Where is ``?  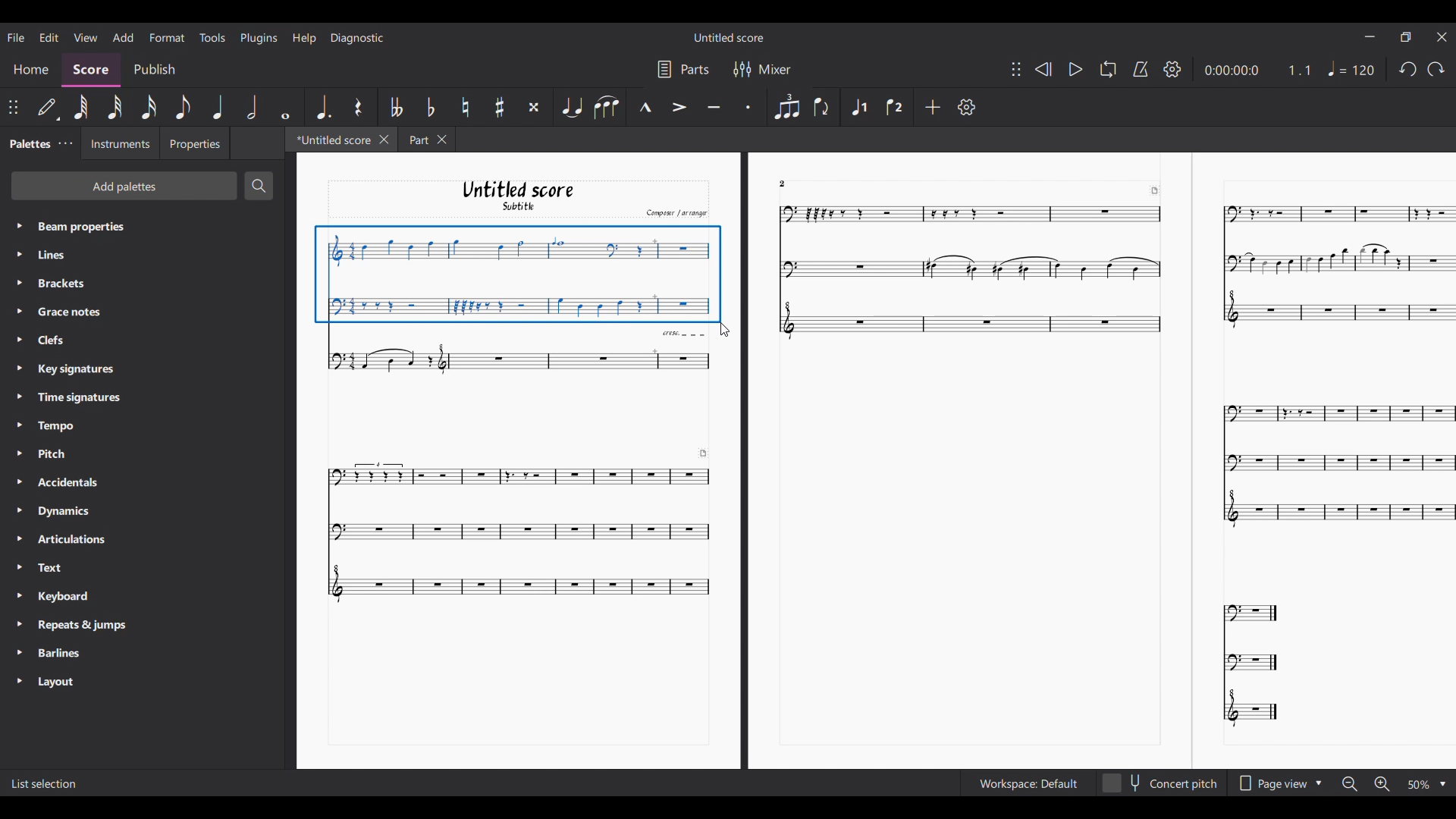
 is located at coordinates (972, 319).